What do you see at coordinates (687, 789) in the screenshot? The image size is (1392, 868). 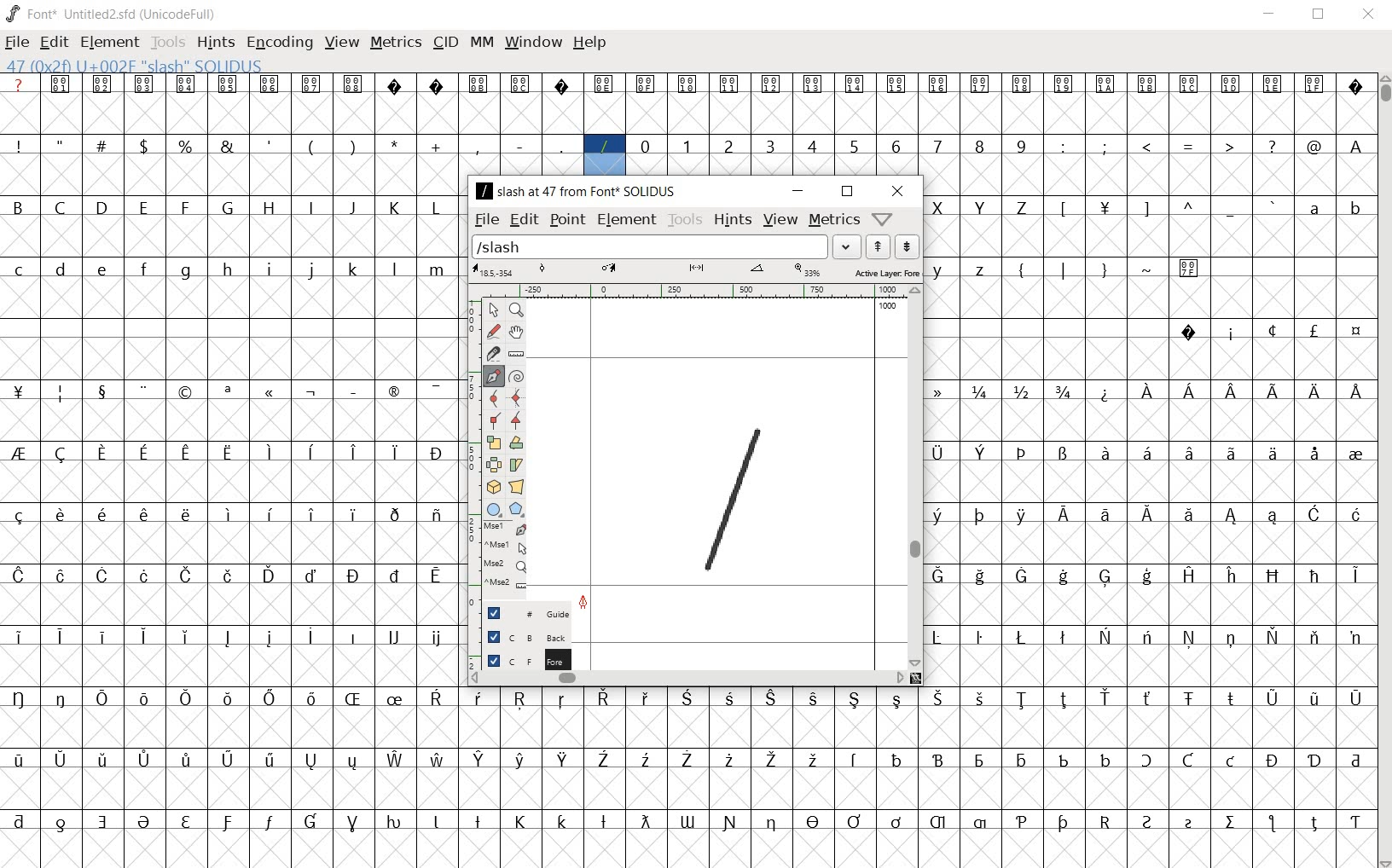 I see `empty cells` at bounding box center [687, 789].